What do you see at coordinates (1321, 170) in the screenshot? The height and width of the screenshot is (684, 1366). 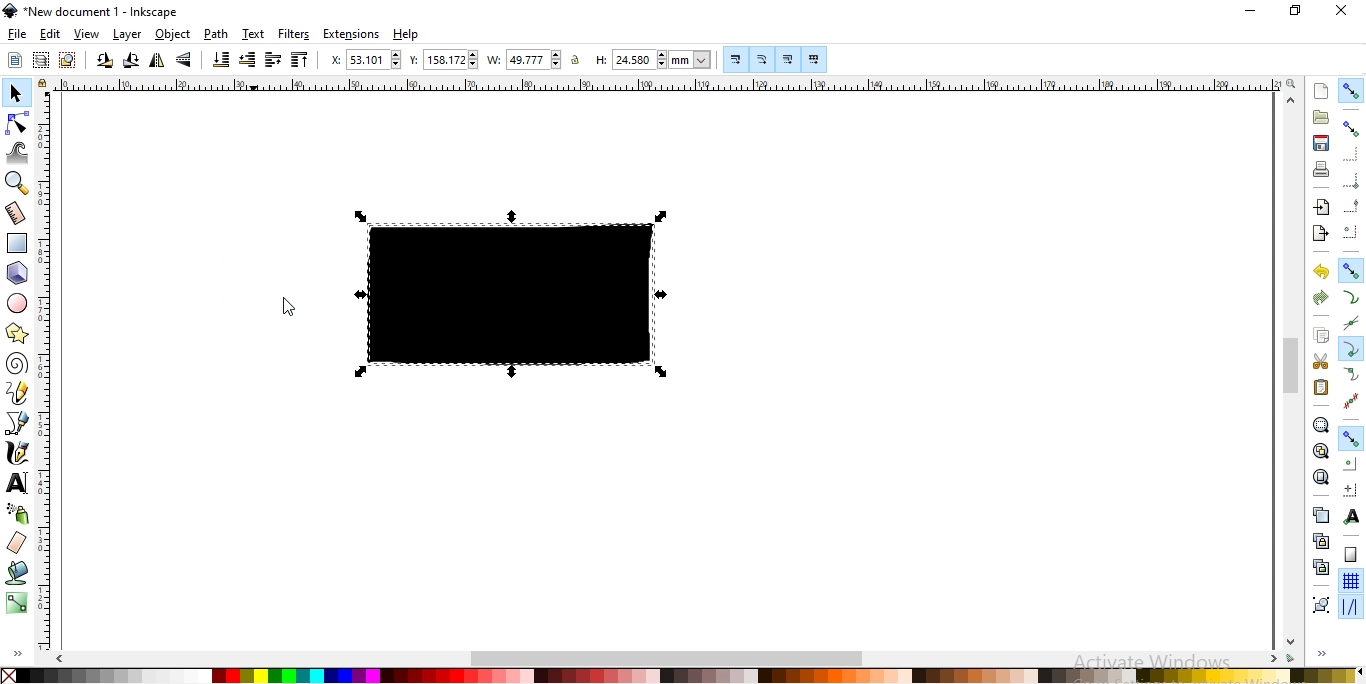 I see `print document` at bounding box center [1321, 170].